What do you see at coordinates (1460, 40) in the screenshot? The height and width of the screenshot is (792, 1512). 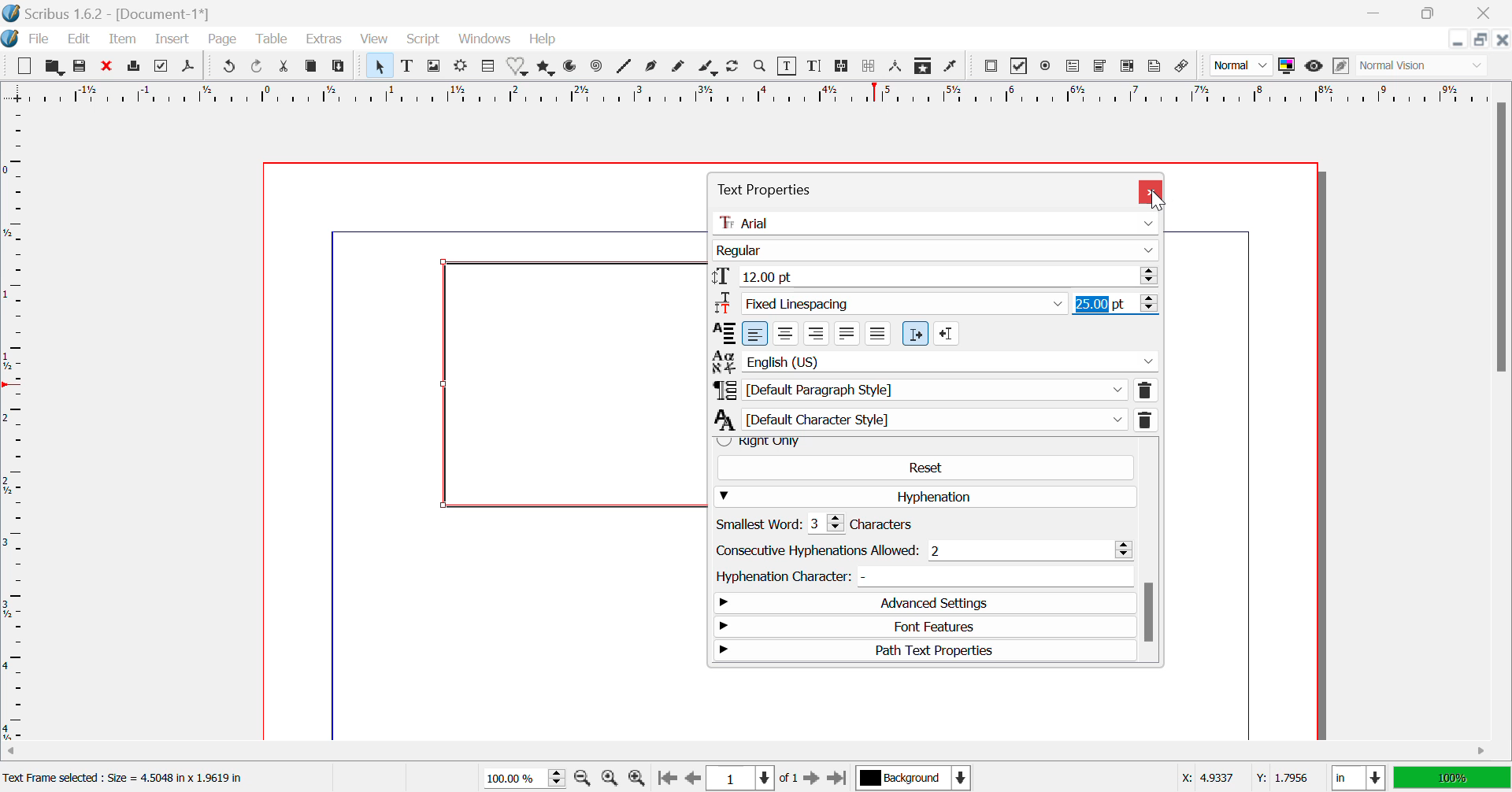 I see `Restore Down` at bounding box center [1460, 40].